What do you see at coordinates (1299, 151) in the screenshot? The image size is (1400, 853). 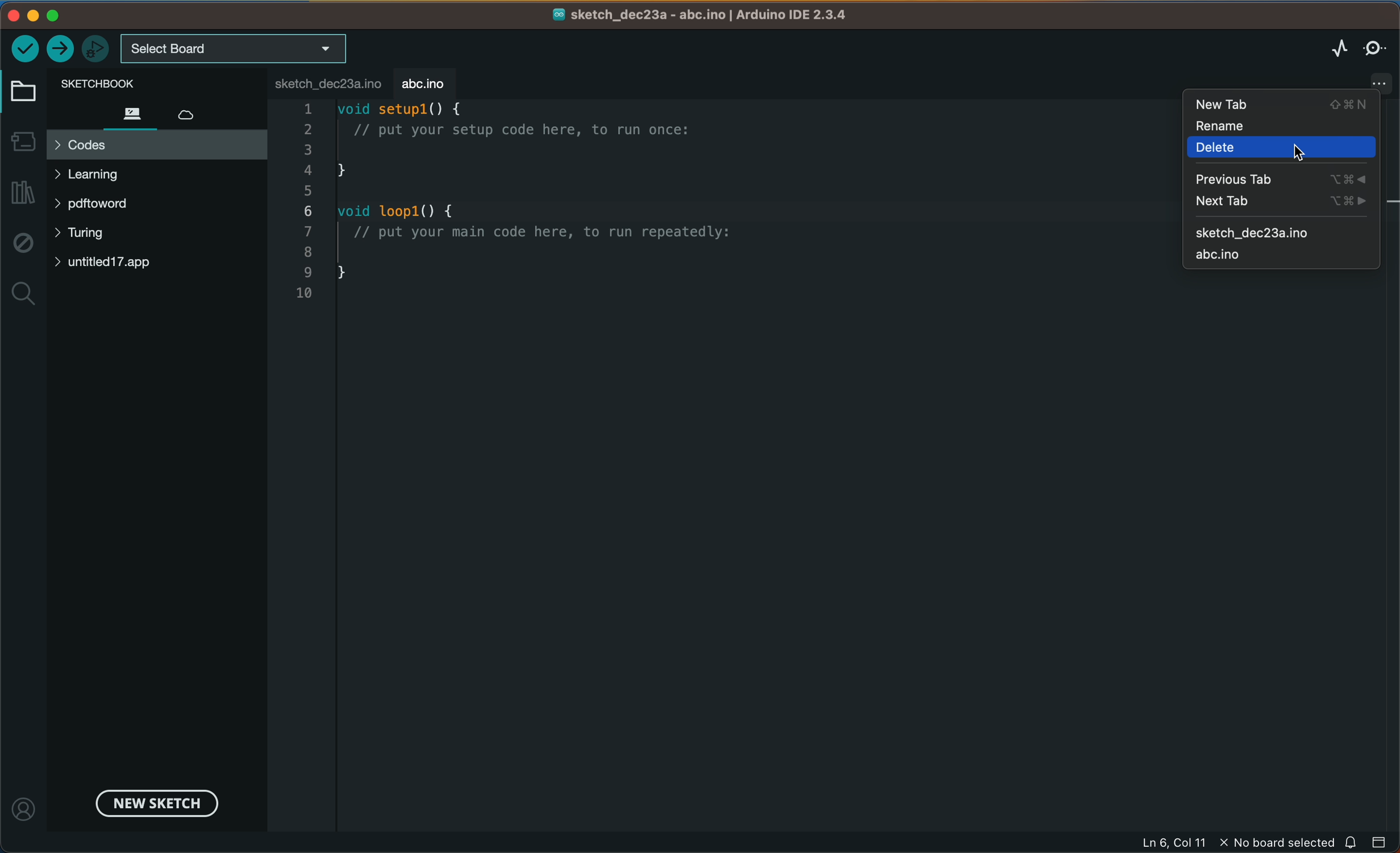 I see `cursor` at bounding box center [1299, 151].